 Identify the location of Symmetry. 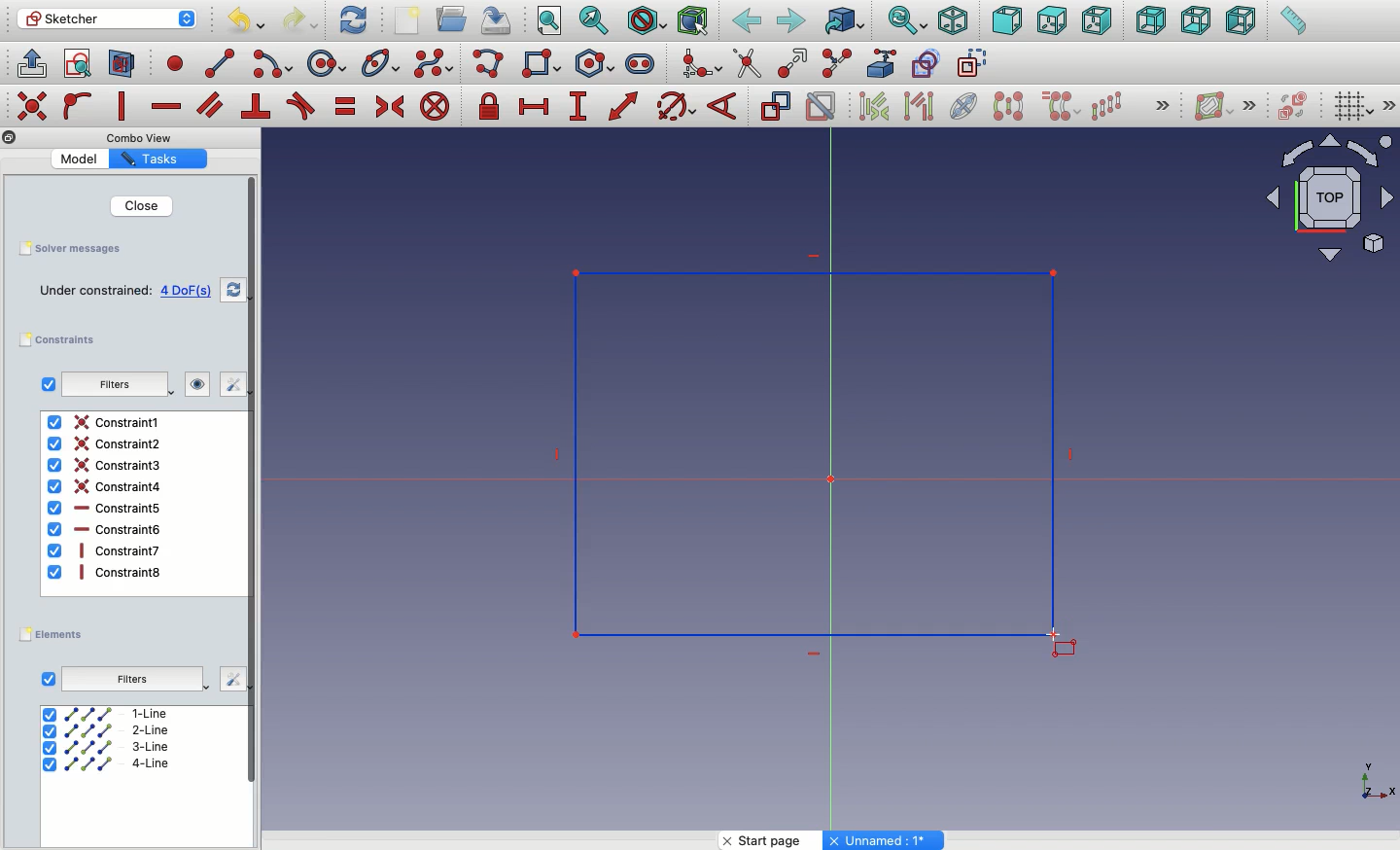
(1007, 106).